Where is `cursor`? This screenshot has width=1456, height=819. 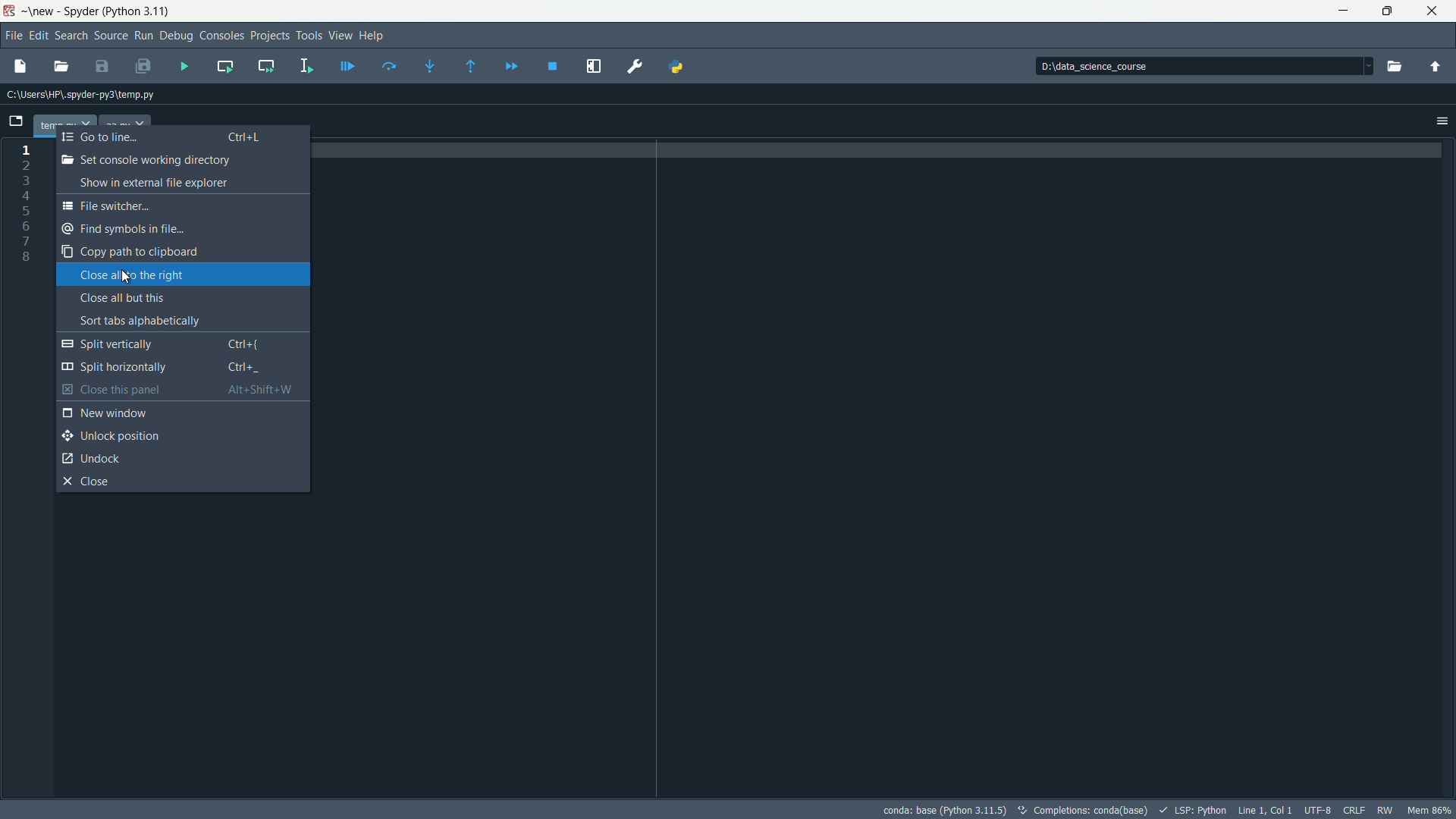
cursor is located at coordinates (126, 277).